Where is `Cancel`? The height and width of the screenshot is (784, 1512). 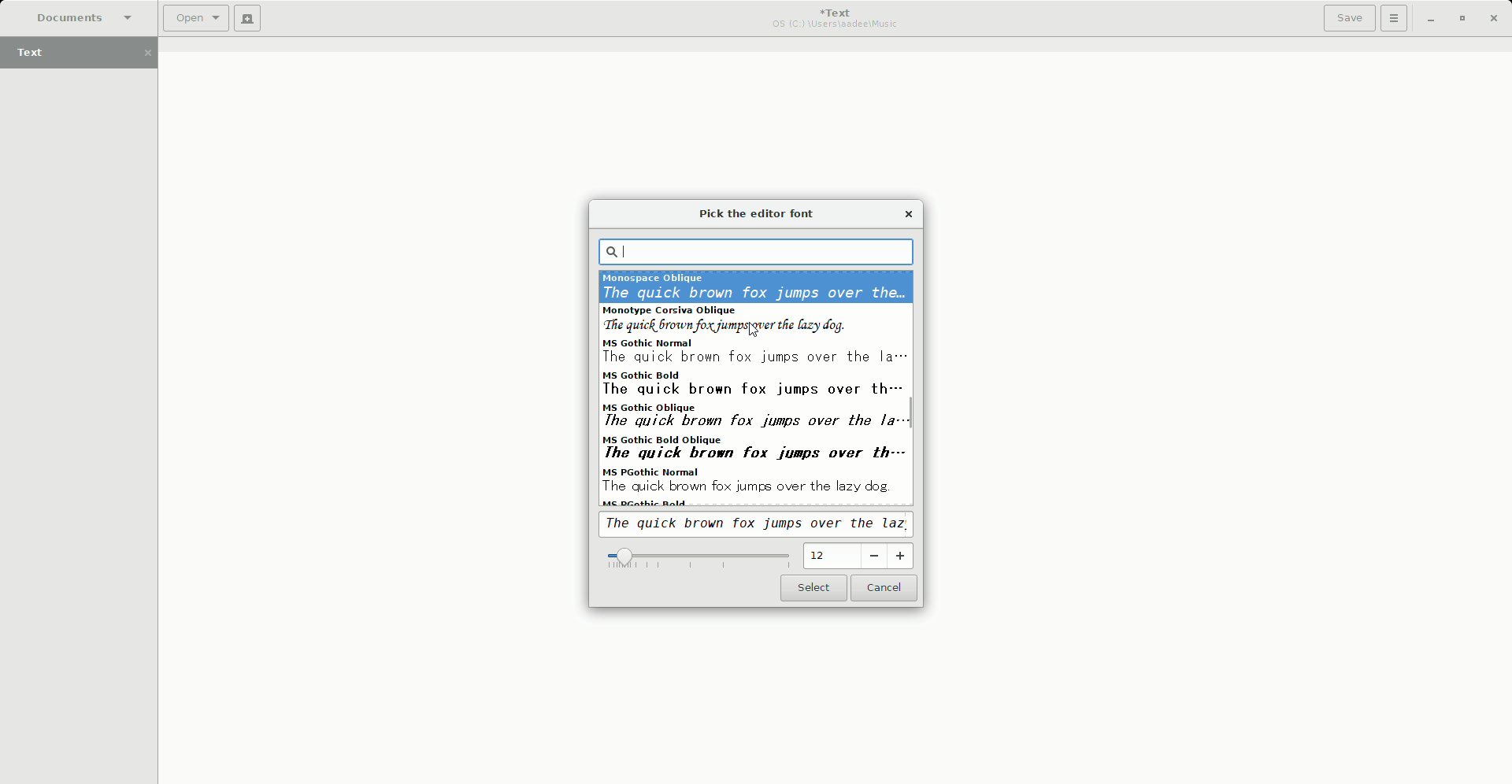
Cancel is located at coordinates (886, 590).